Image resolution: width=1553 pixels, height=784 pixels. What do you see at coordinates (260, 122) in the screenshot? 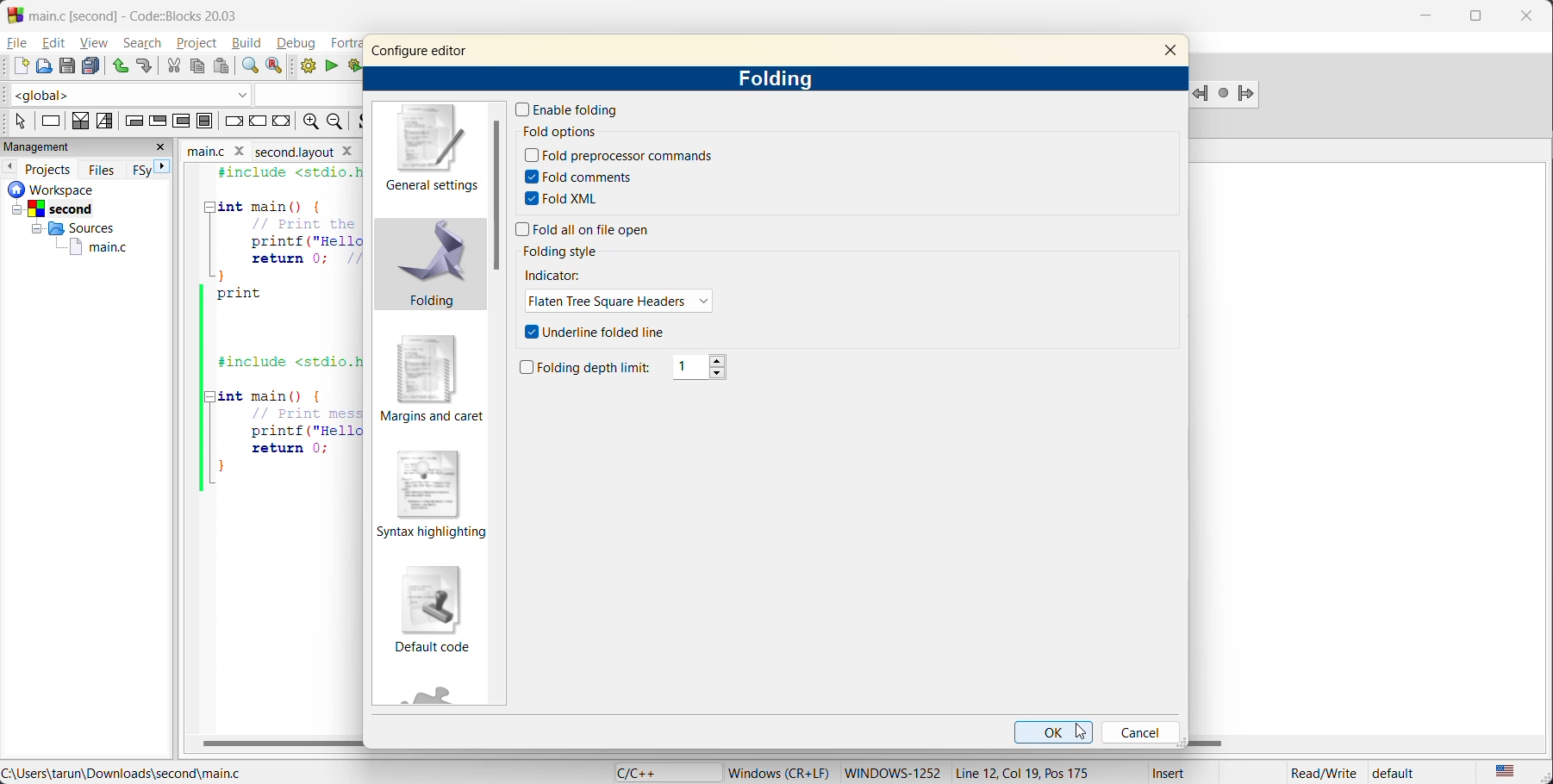
I see `continue instruction` at bounding box center [260, 122].